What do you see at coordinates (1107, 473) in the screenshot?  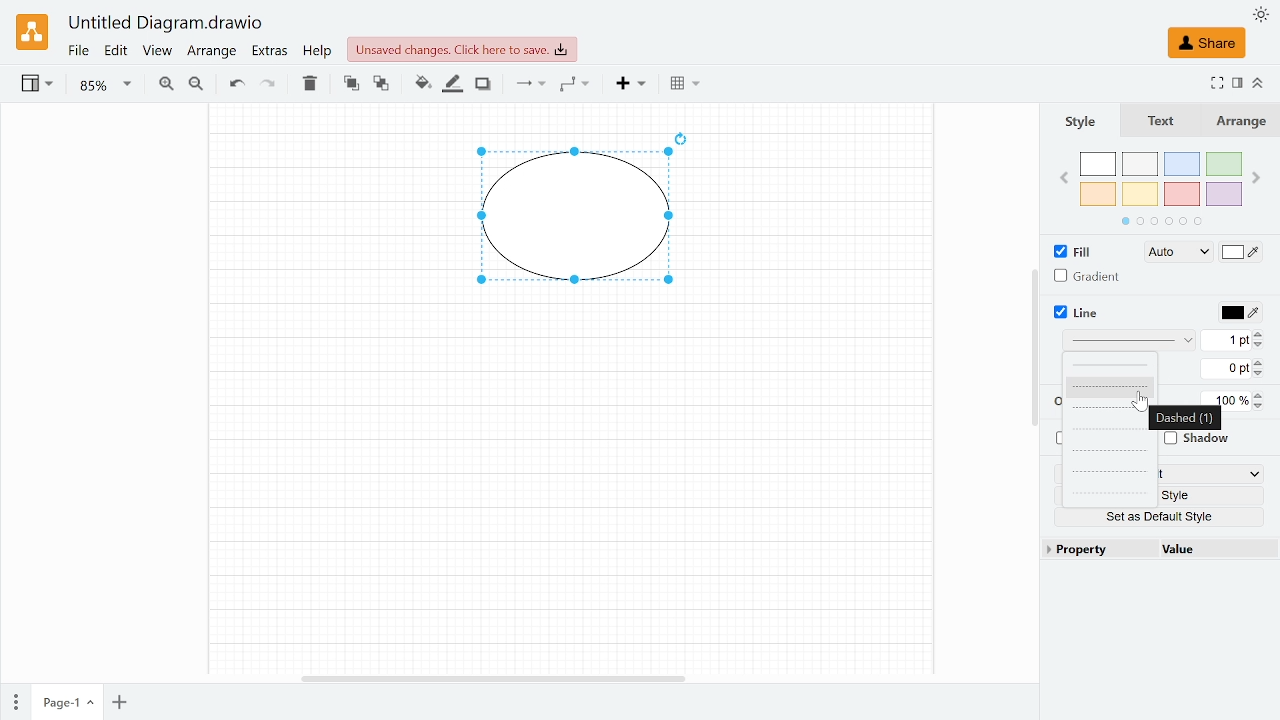 I see `dotted  2` at bounding box center [1107, 473].